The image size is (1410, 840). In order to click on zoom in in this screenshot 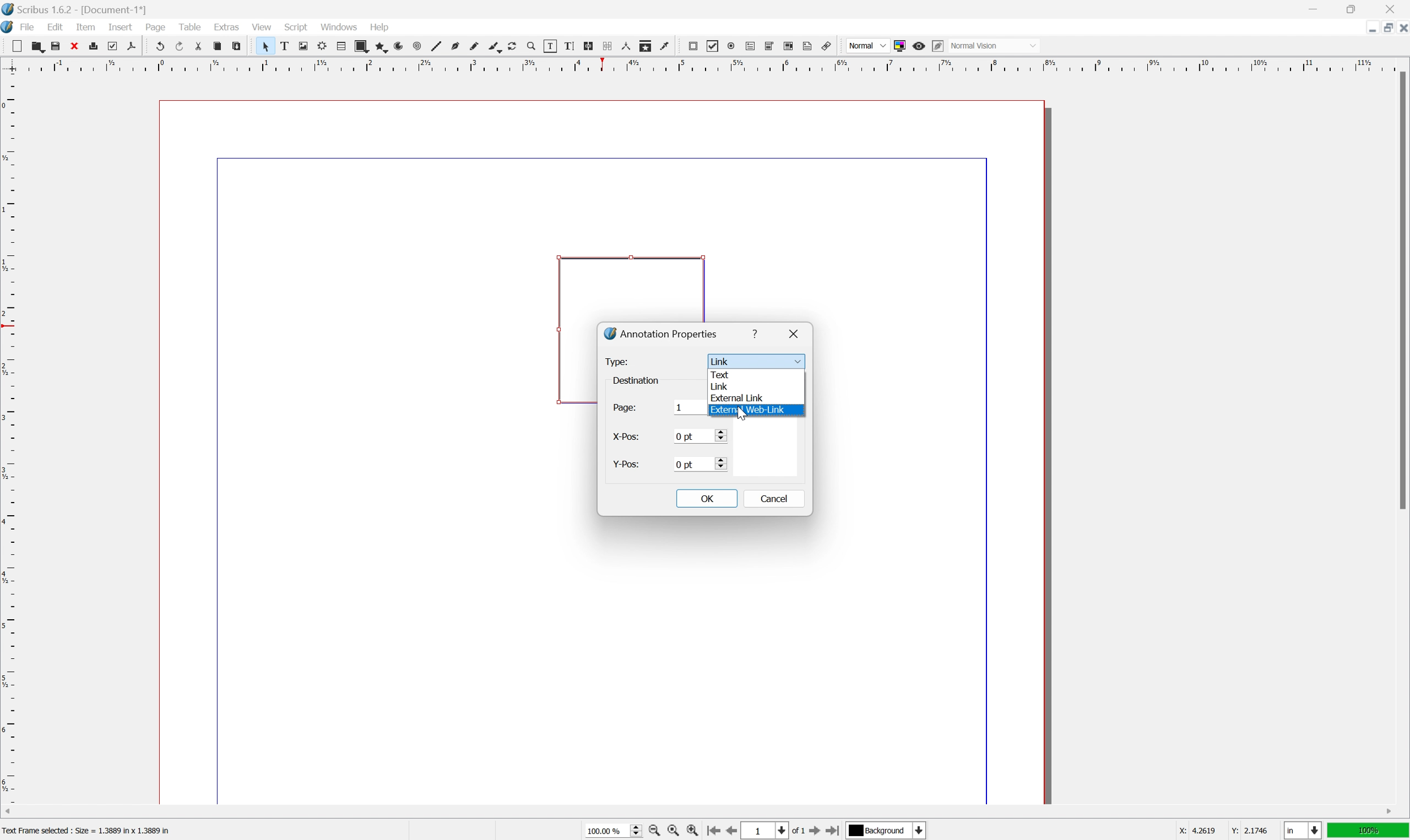, I will do `click(692, 830)`.